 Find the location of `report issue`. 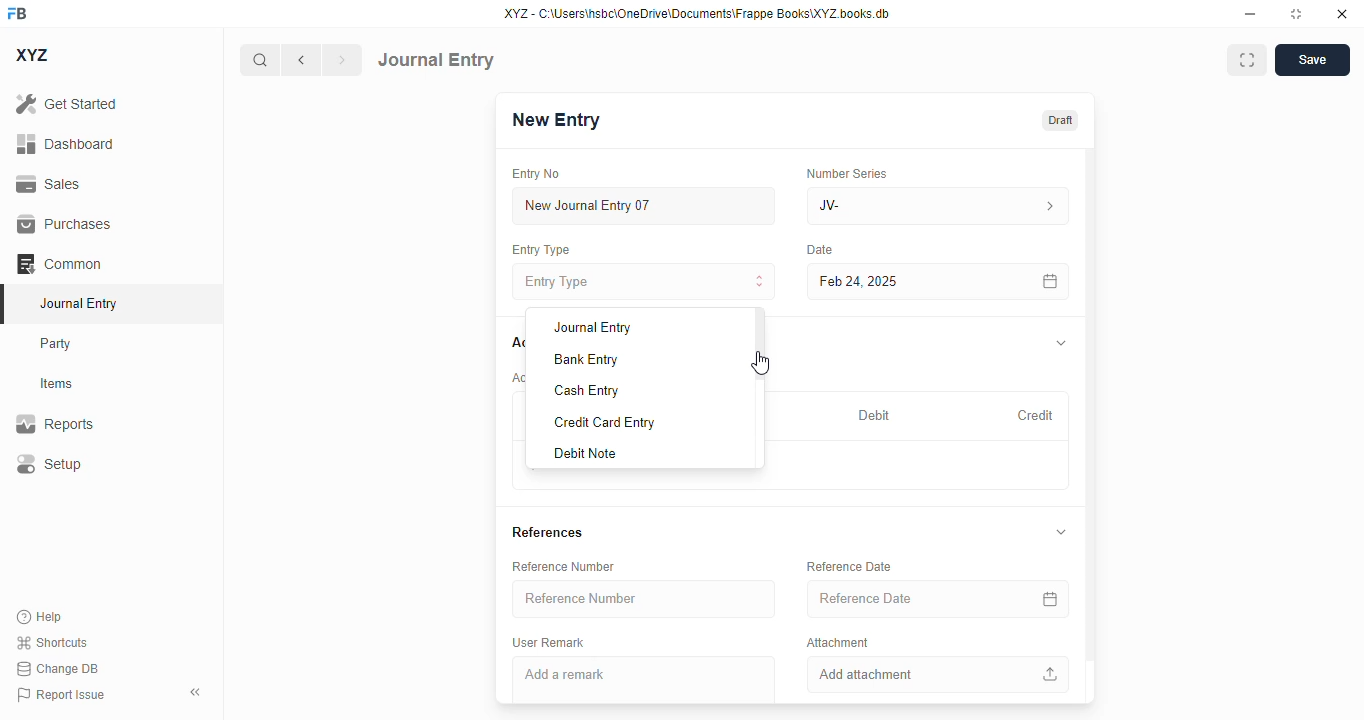

report issue is located at coordinates (61, 694).